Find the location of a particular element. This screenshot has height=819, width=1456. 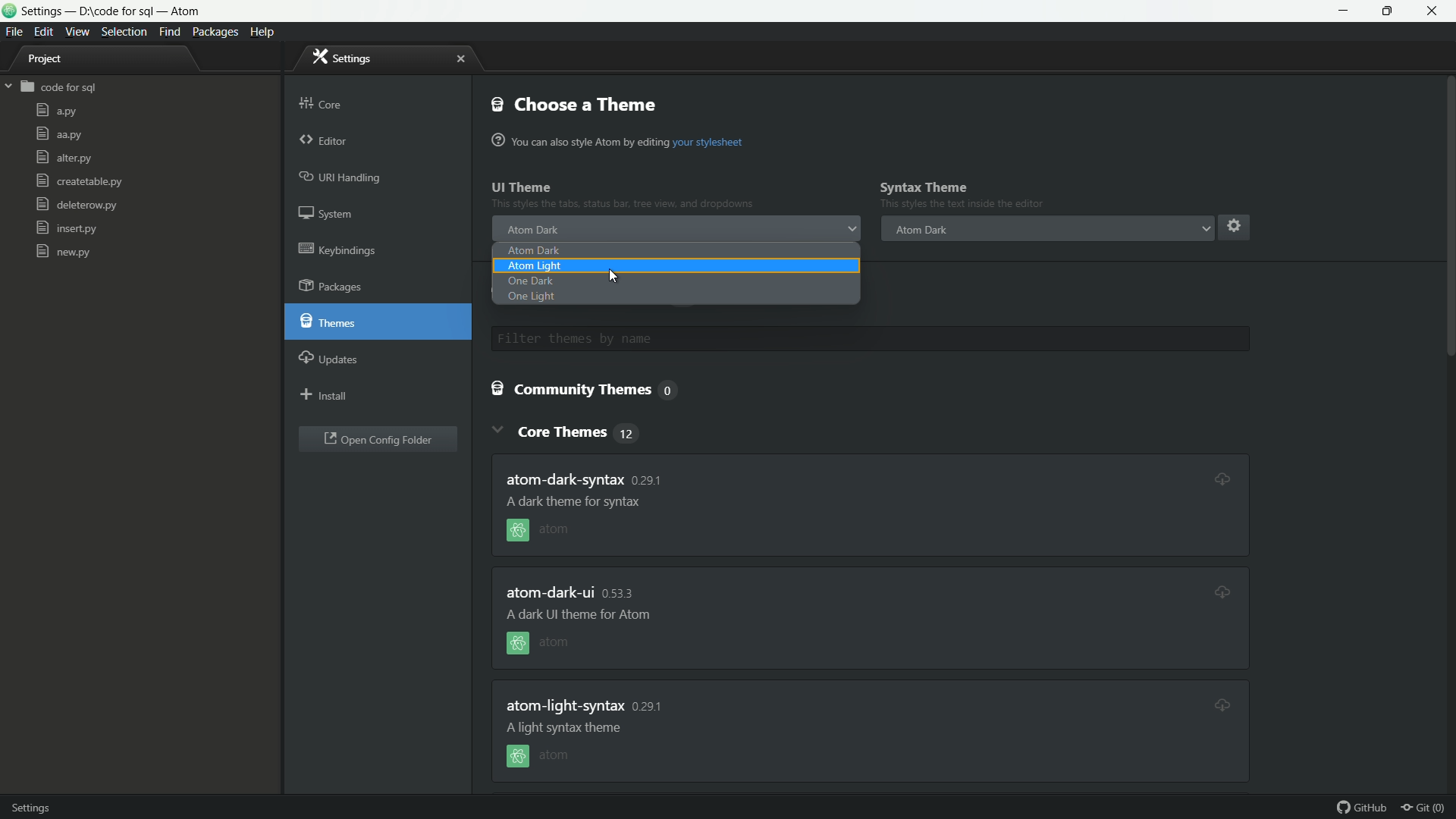

atom dark syntax is located at coordinates (590, 478).